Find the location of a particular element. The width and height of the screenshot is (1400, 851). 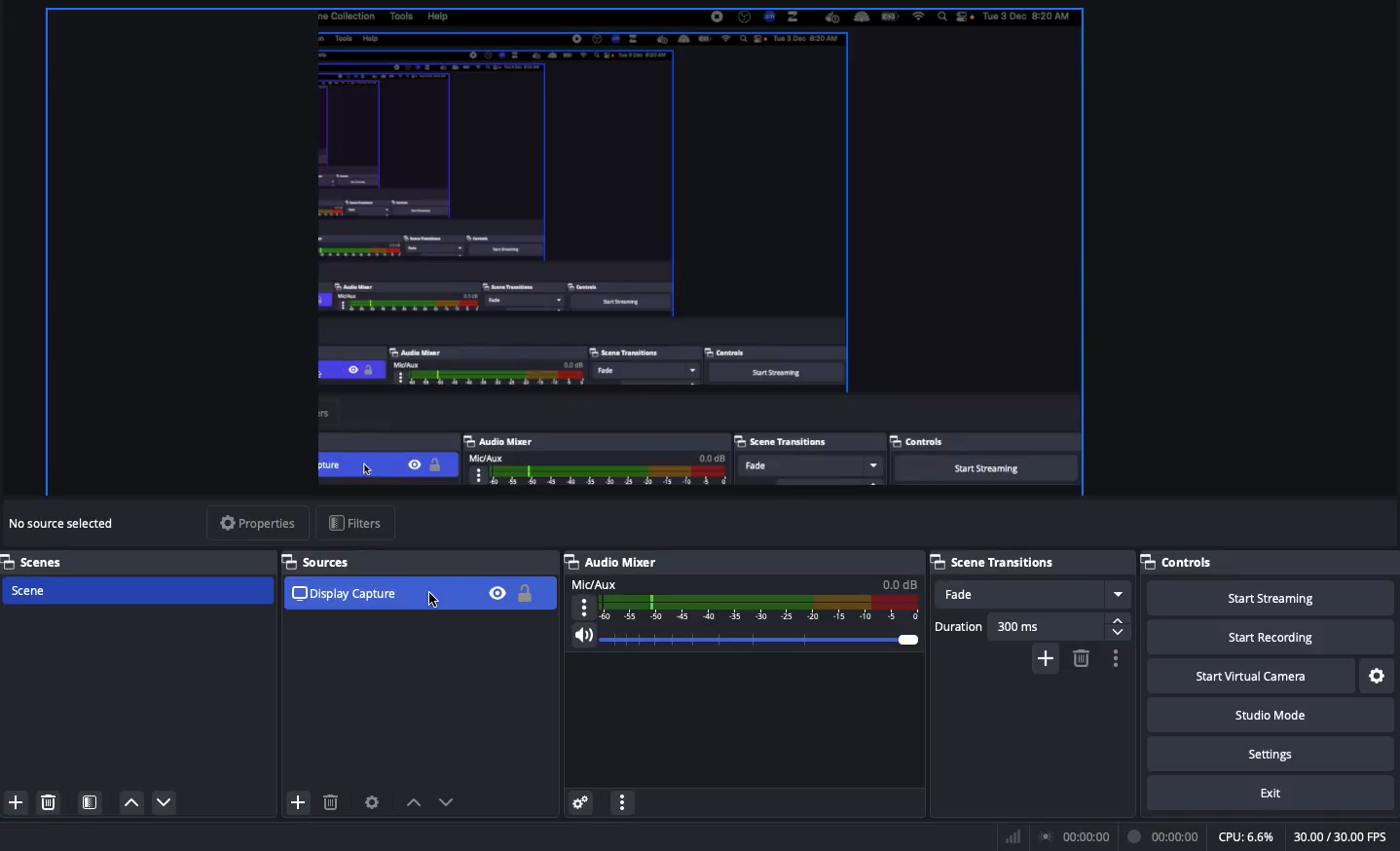

settings is located at coordinates (373, 801).